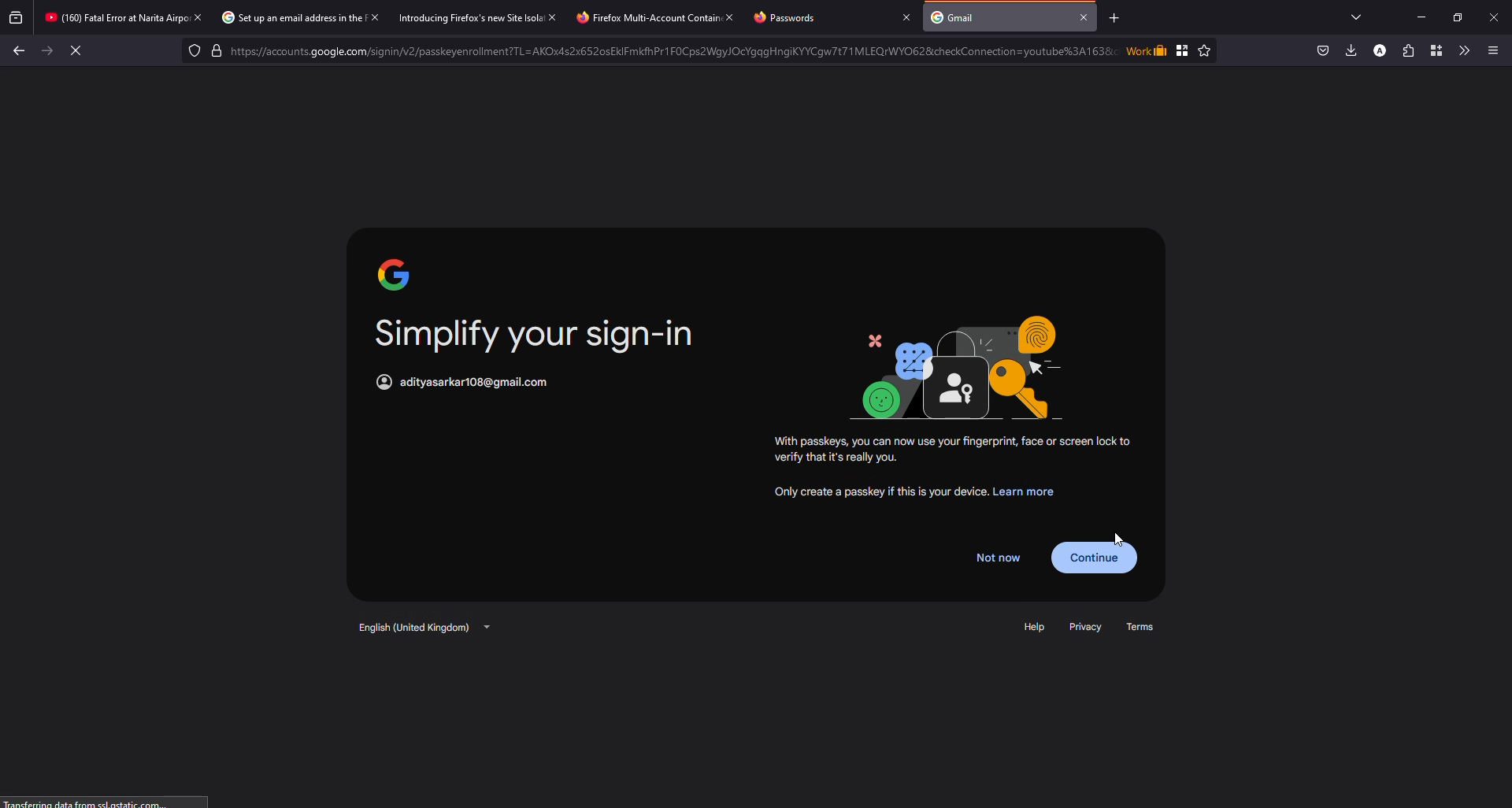  What do you see at coordinates (394, 273) in the screenshot?
I see `icon` at bounding box center [394, 273].